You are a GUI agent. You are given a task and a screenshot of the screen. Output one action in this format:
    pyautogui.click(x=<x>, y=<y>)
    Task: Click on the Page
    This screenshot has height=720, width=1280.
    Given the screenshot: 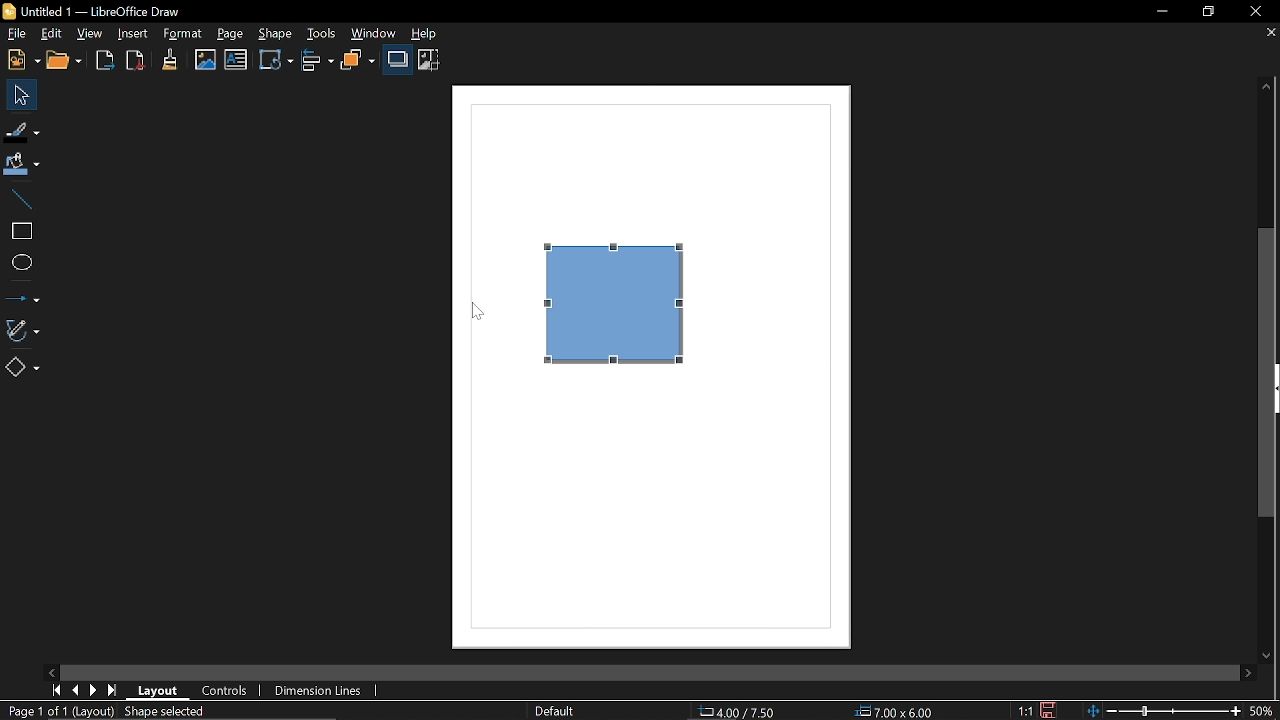 What is the action you would take?
    pyautogui.click(x=230, y=34)
    